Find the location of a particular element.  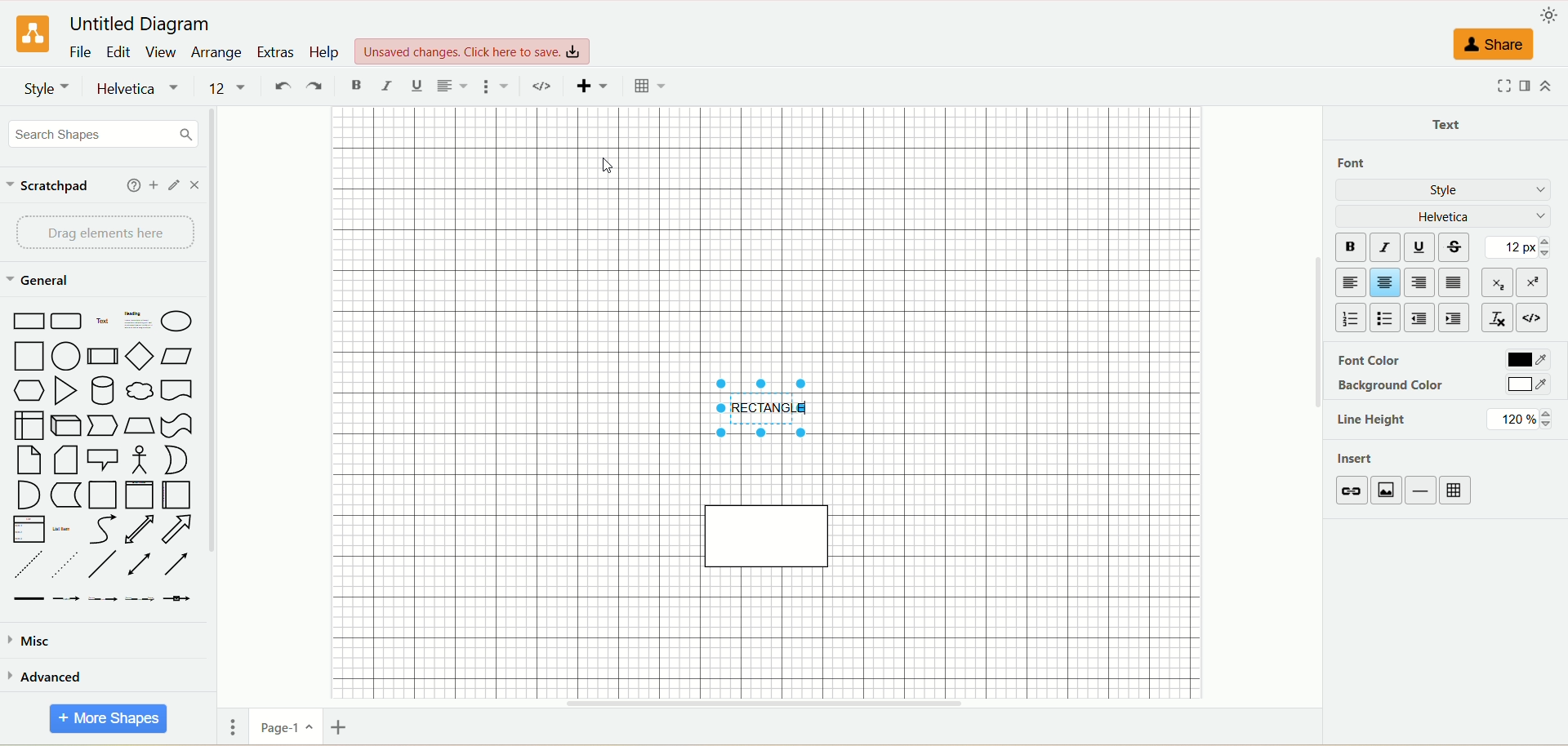

search shapes is located at coordinates (107, 136).